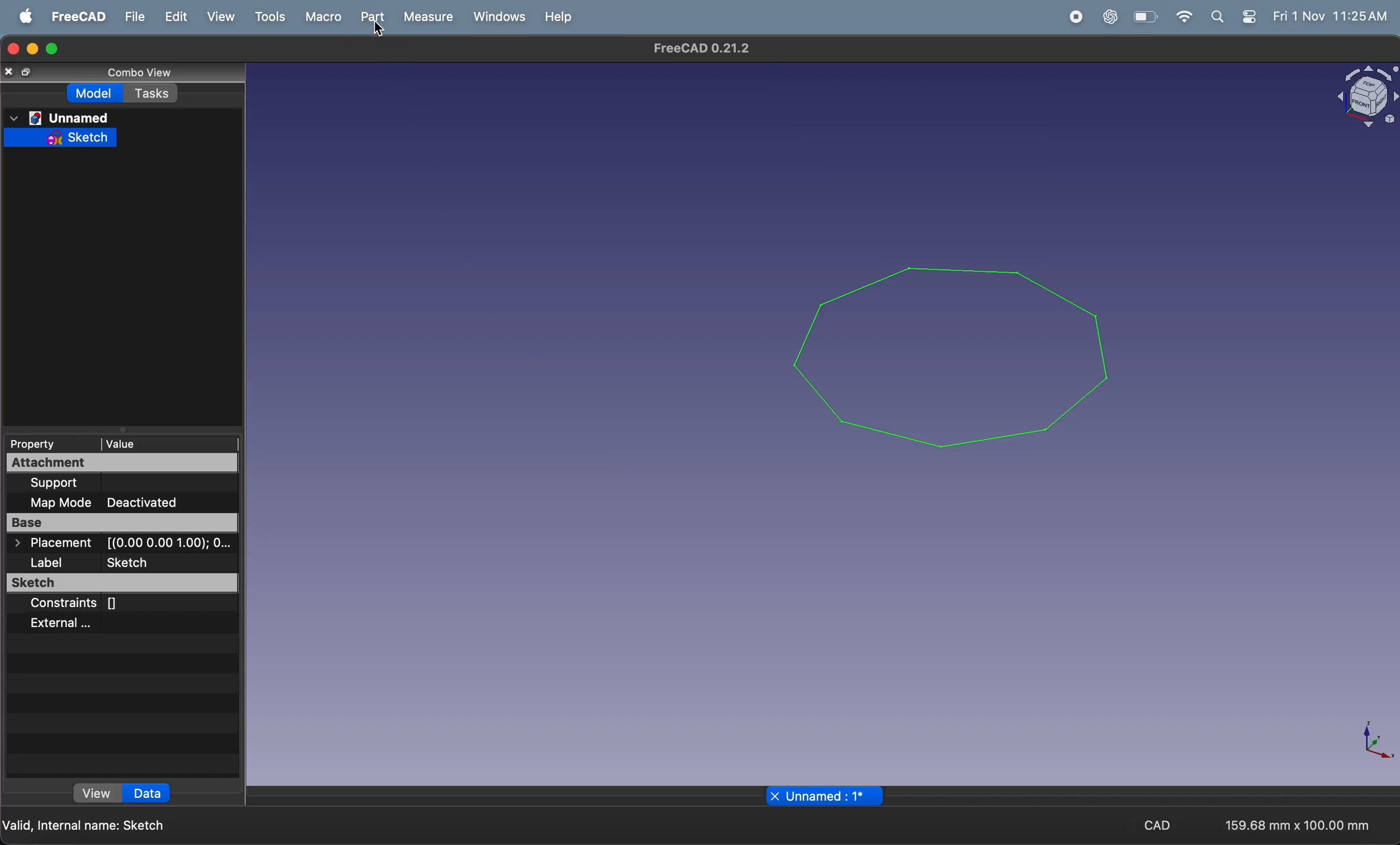 This screenshot has width=1400, height=845. I want to click on x Unnamed : 1*, so click(820, 795).